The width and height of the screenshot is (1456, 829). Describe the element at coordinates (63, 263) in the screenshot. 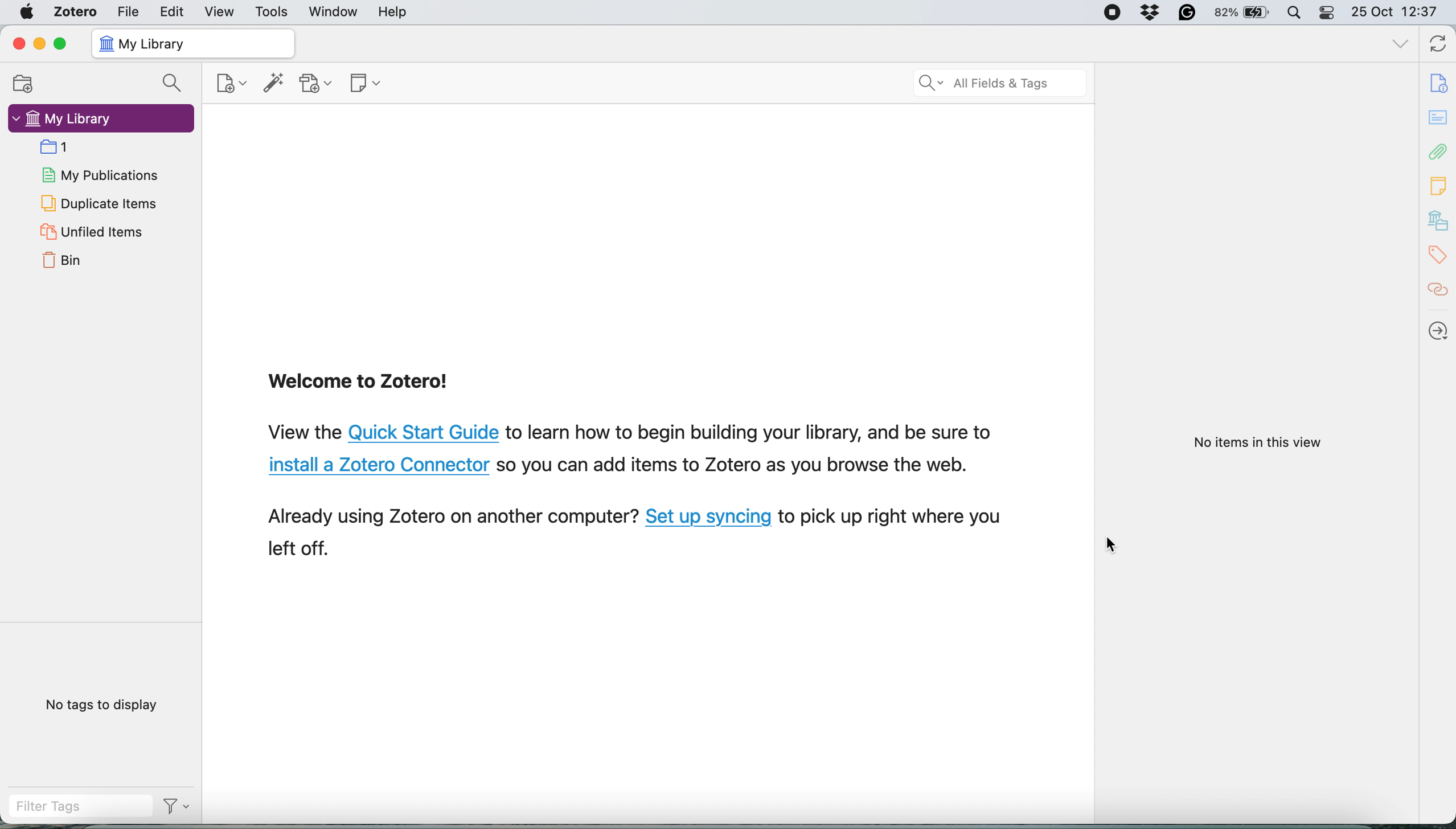

I see `bin` at that location.